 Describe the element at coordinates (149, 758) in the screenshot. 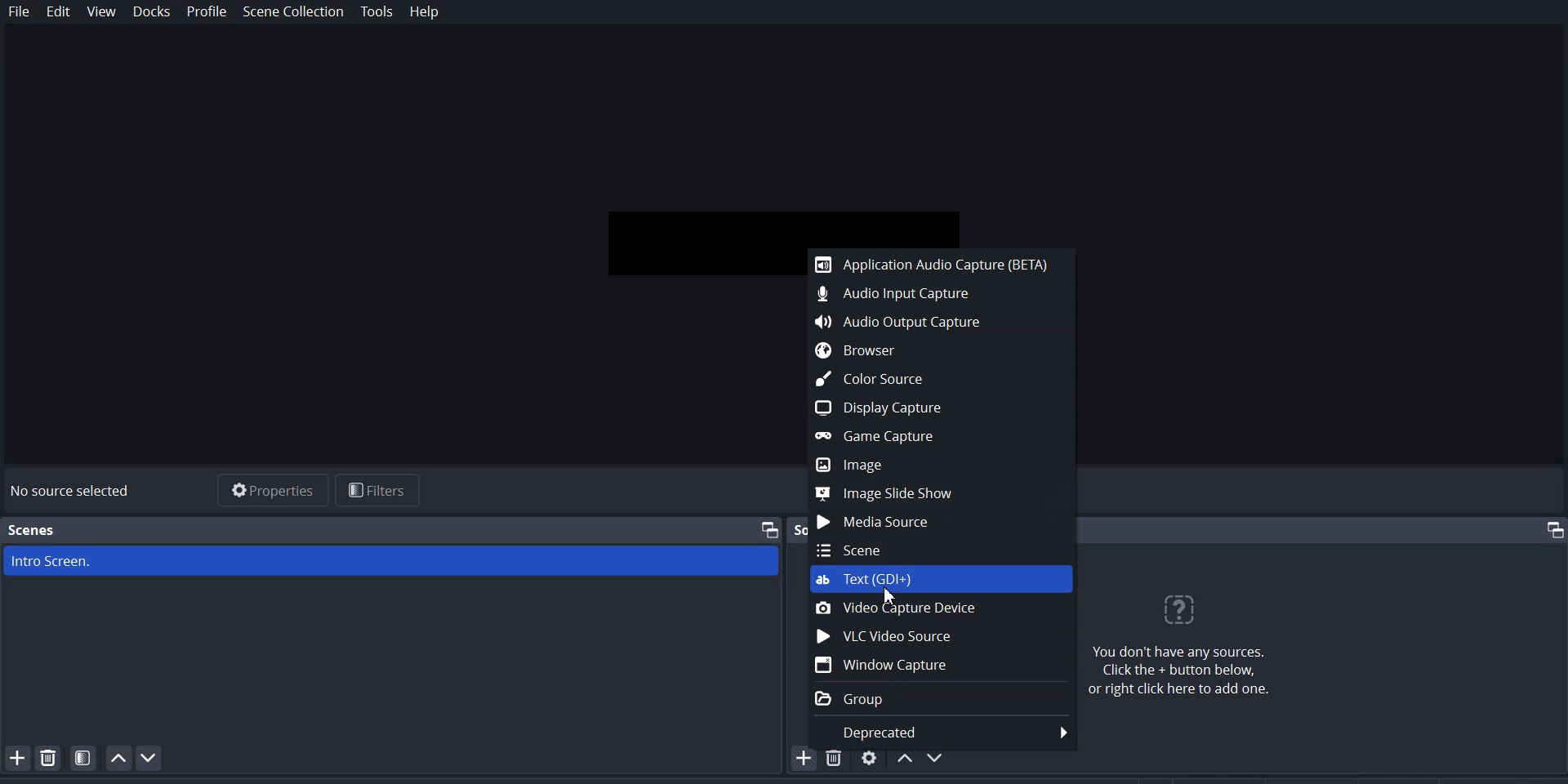

I see `Move scene Down` at that location.